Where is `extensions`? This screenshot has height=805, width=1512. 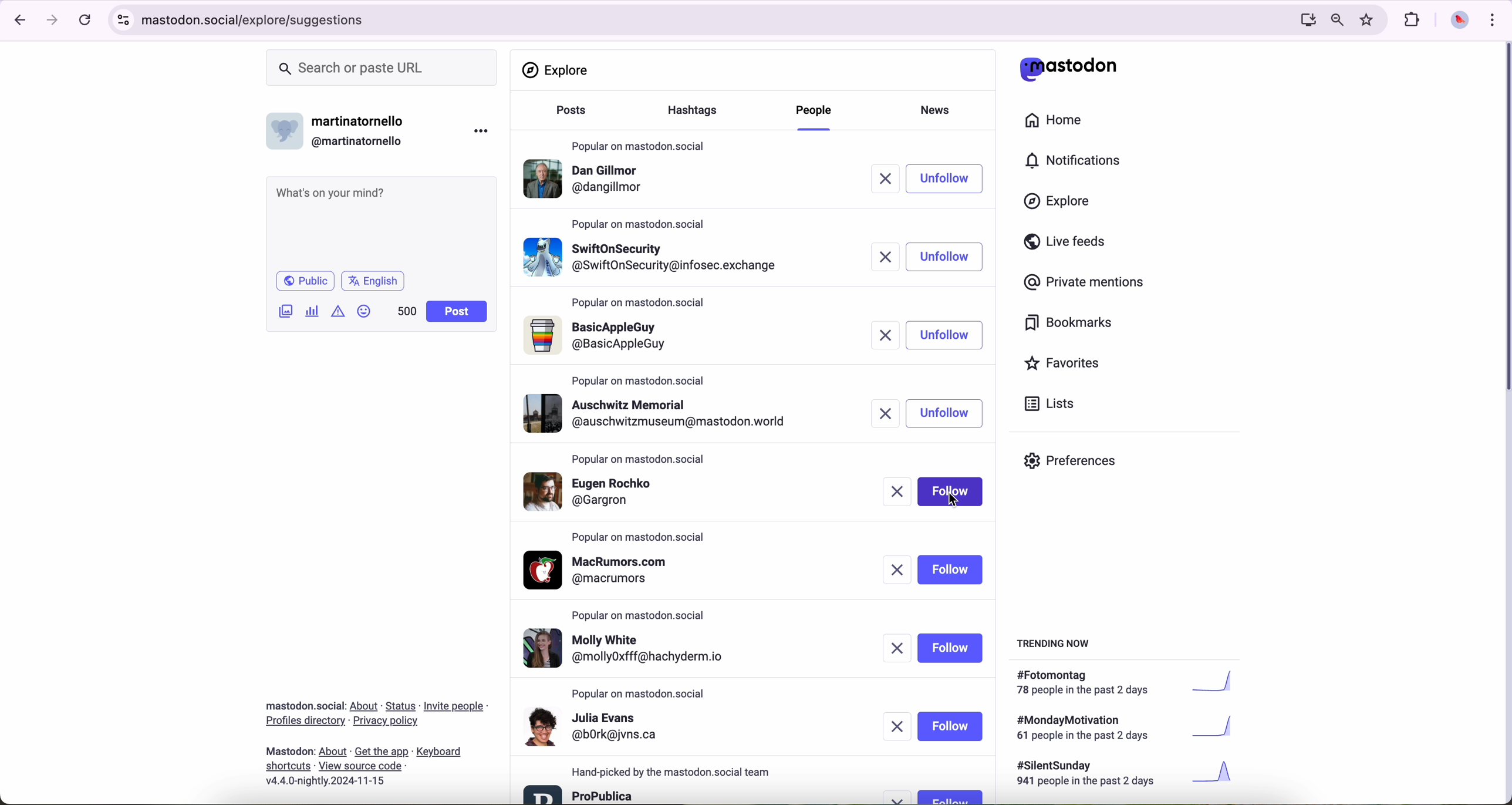 extensions is located at coordinates (1413, 20).